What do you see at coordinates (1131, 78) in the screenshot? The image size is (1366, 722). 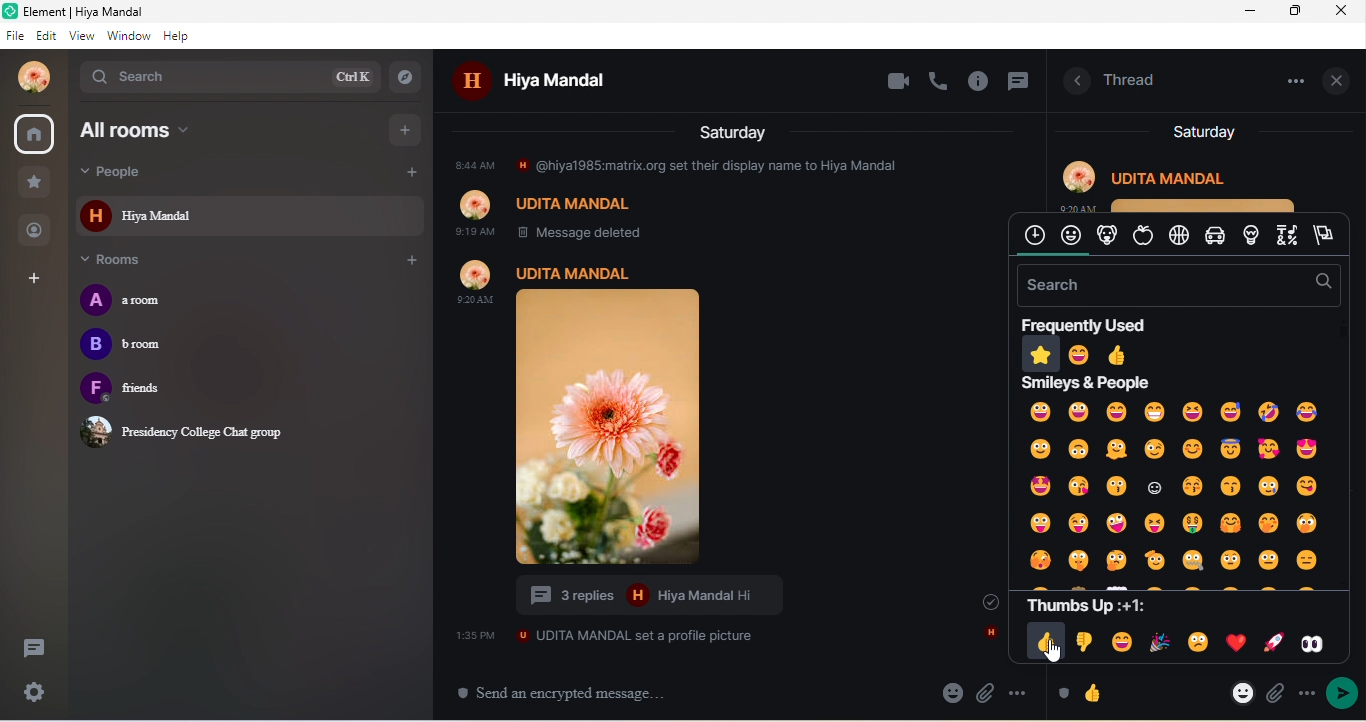 I see `thread` at bounding box center [1131, 78].